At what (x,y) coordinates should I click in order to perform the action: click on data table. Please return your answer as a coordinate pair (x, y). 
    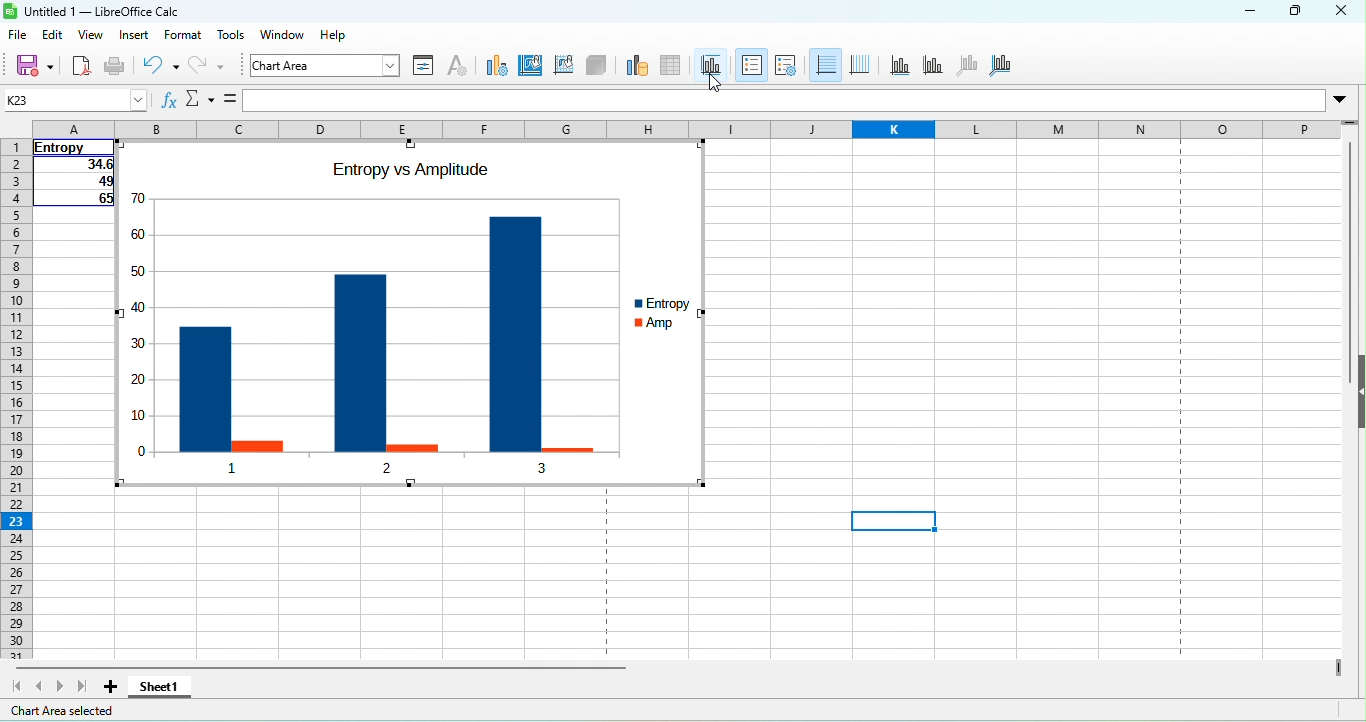
    Looking at the image, I should click on (674, 67).